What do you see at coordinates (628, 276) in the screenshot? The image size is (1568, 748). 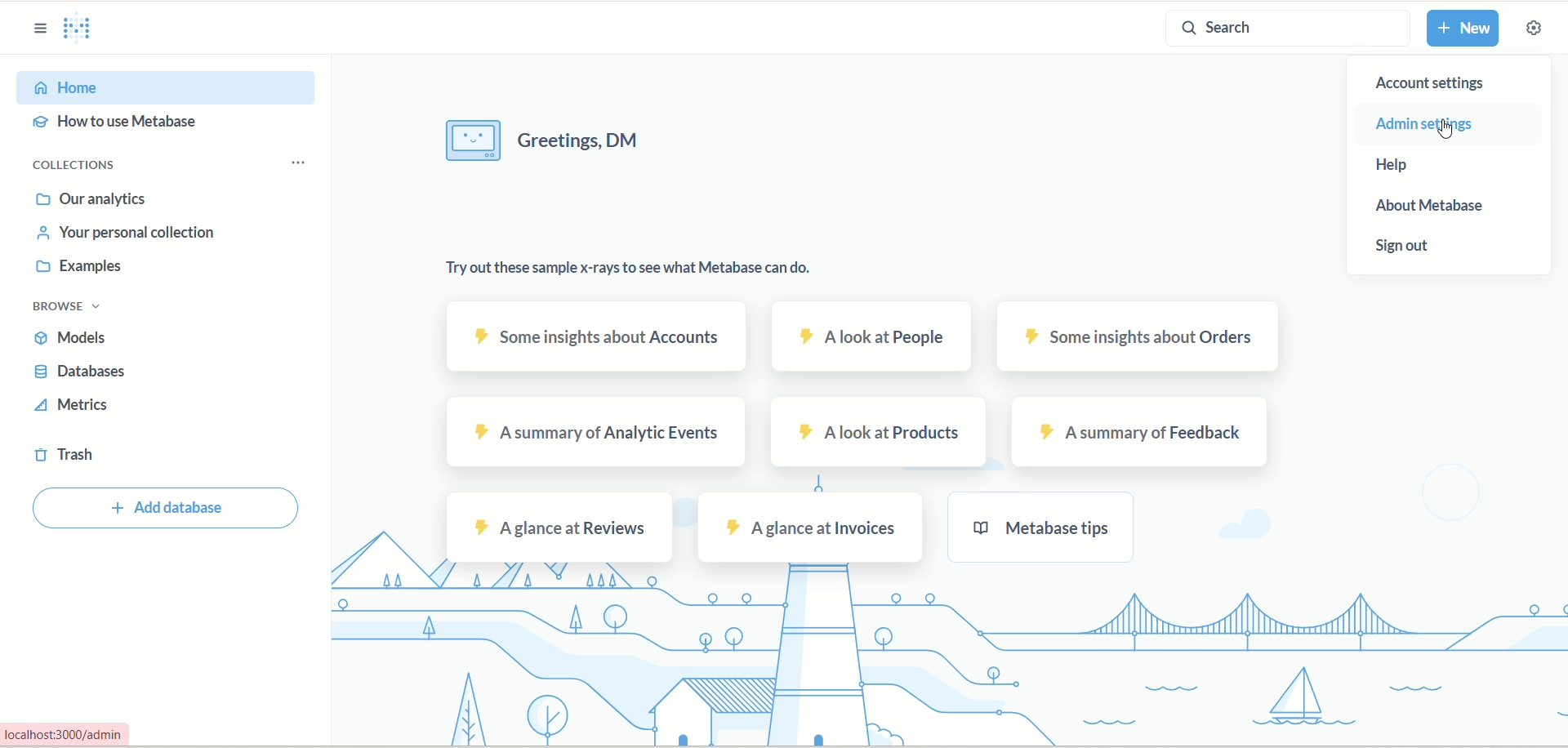 I see `try out these sample x-rays to see what metabase can do` at bounding box center [628, 276].